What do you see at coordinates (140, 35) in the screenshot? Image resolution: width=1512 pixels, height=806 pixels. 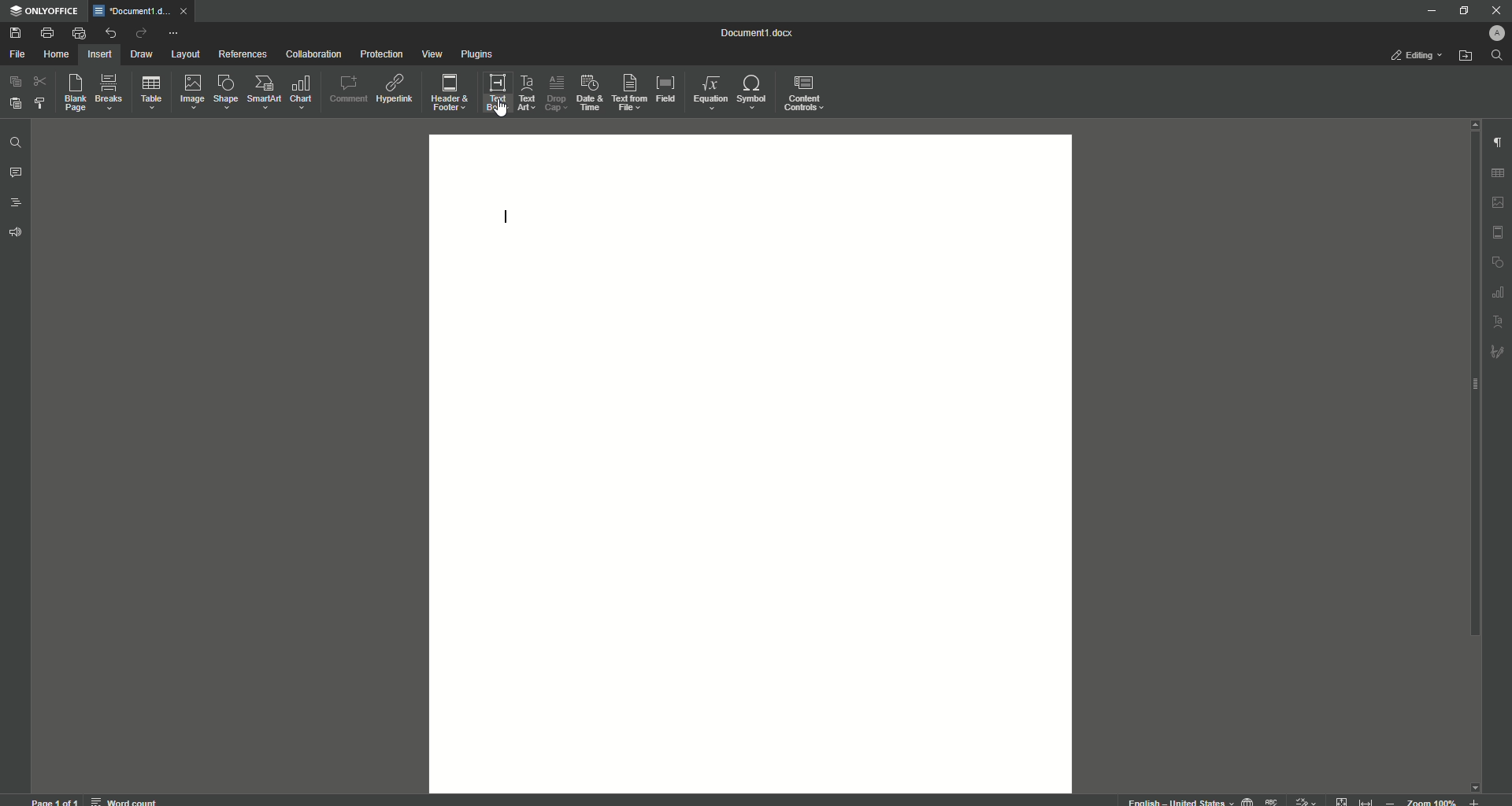 I see `Redo` at bounding box center [140, 35].